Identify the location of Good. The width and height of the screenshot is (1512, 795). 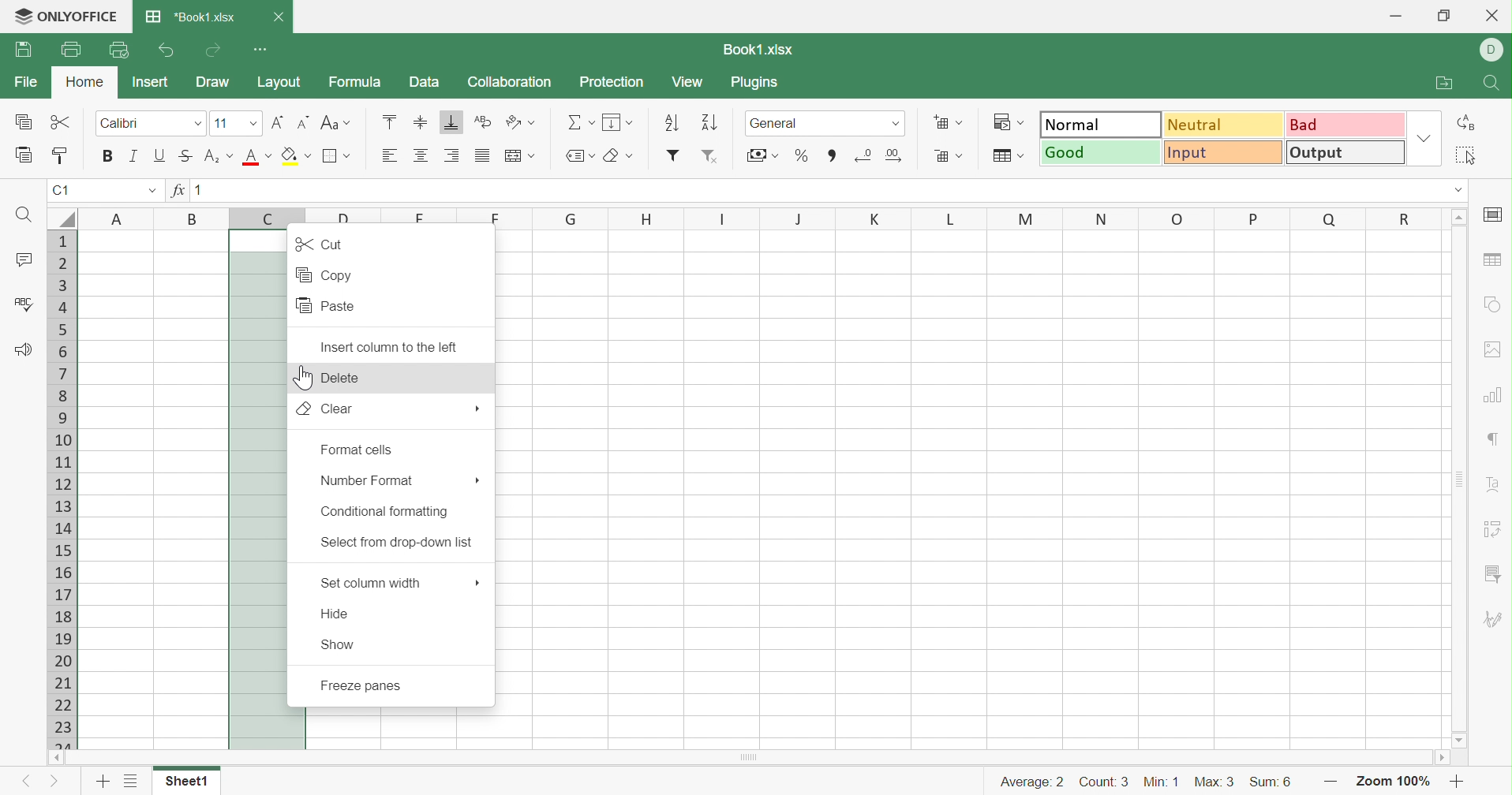
(1102, 153).